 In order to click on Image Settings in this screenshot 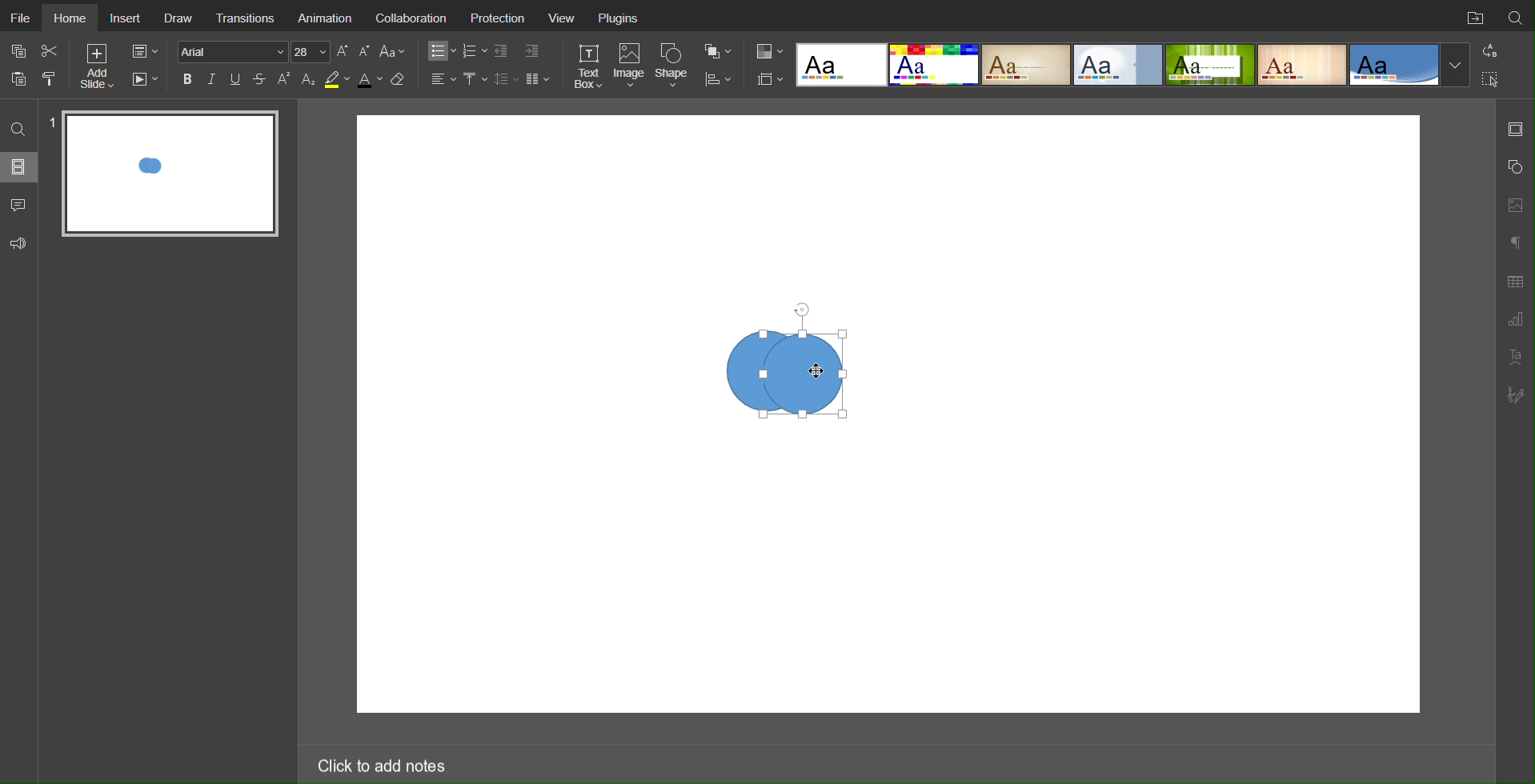, I will do `click(1514, 203)`.